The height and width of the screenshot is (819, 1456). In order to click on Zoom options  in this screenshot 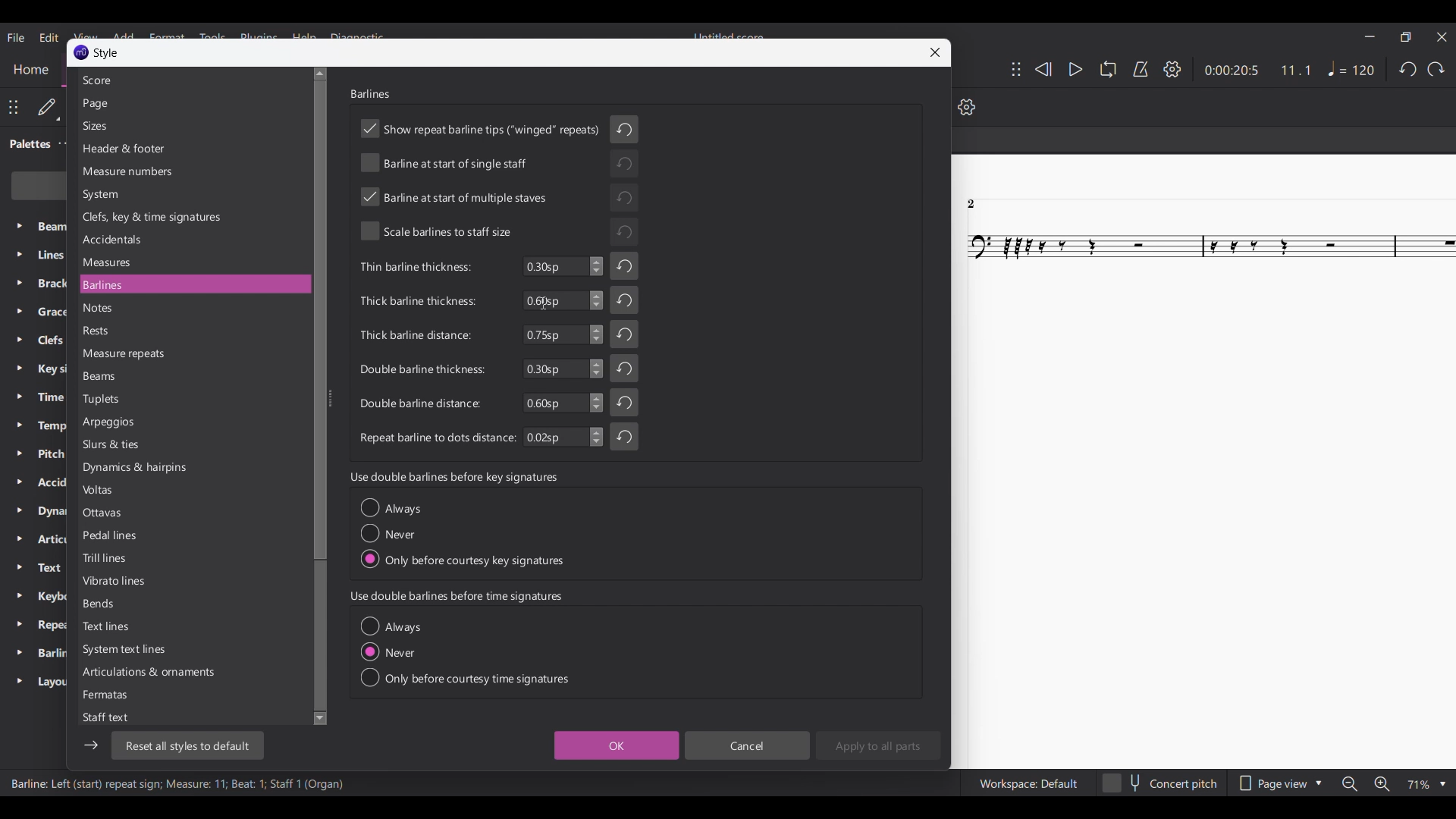, I will do `click(1426, 785)`.